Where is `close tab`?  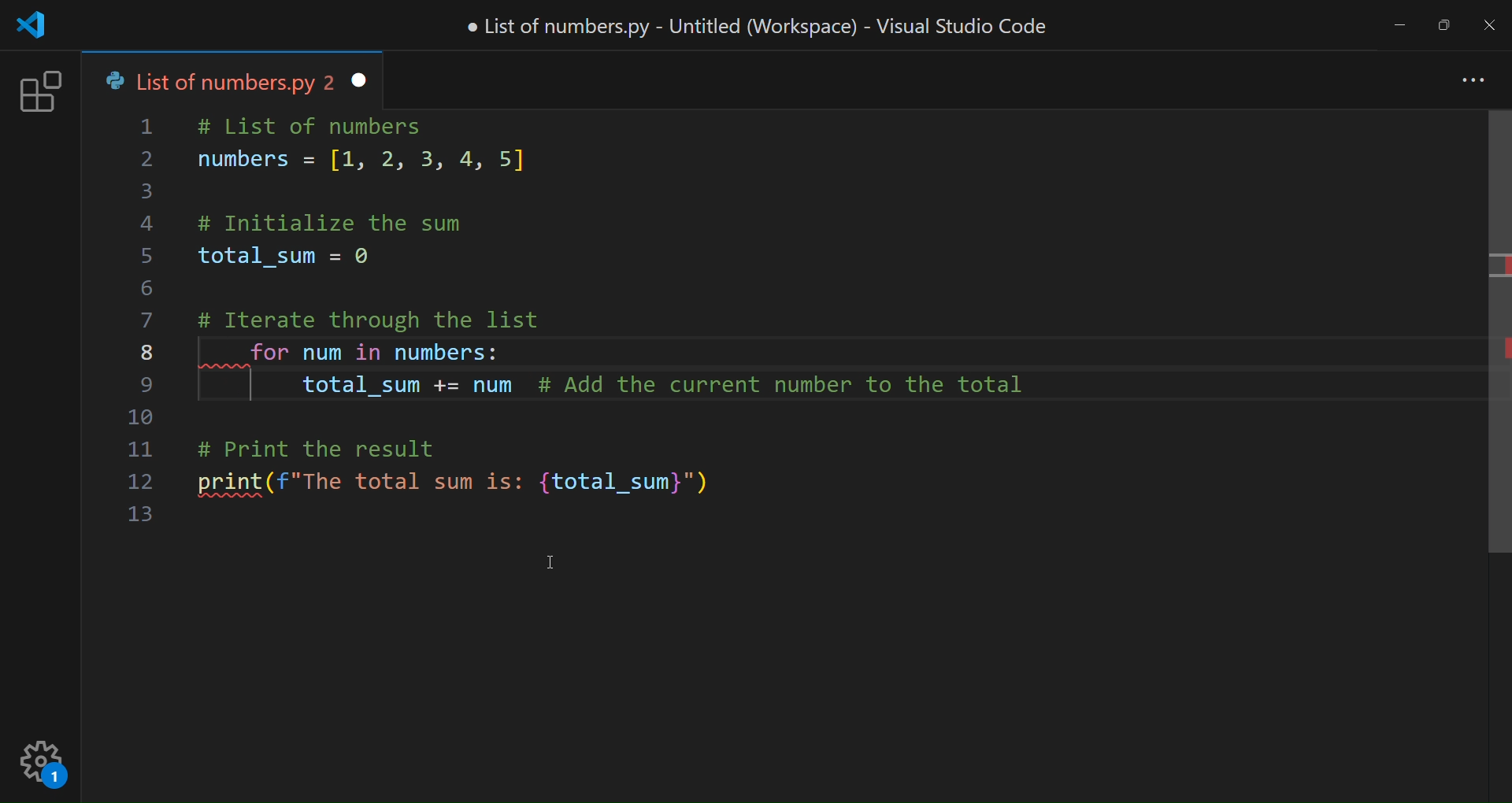 close tab is located at coordinates (357, 80).